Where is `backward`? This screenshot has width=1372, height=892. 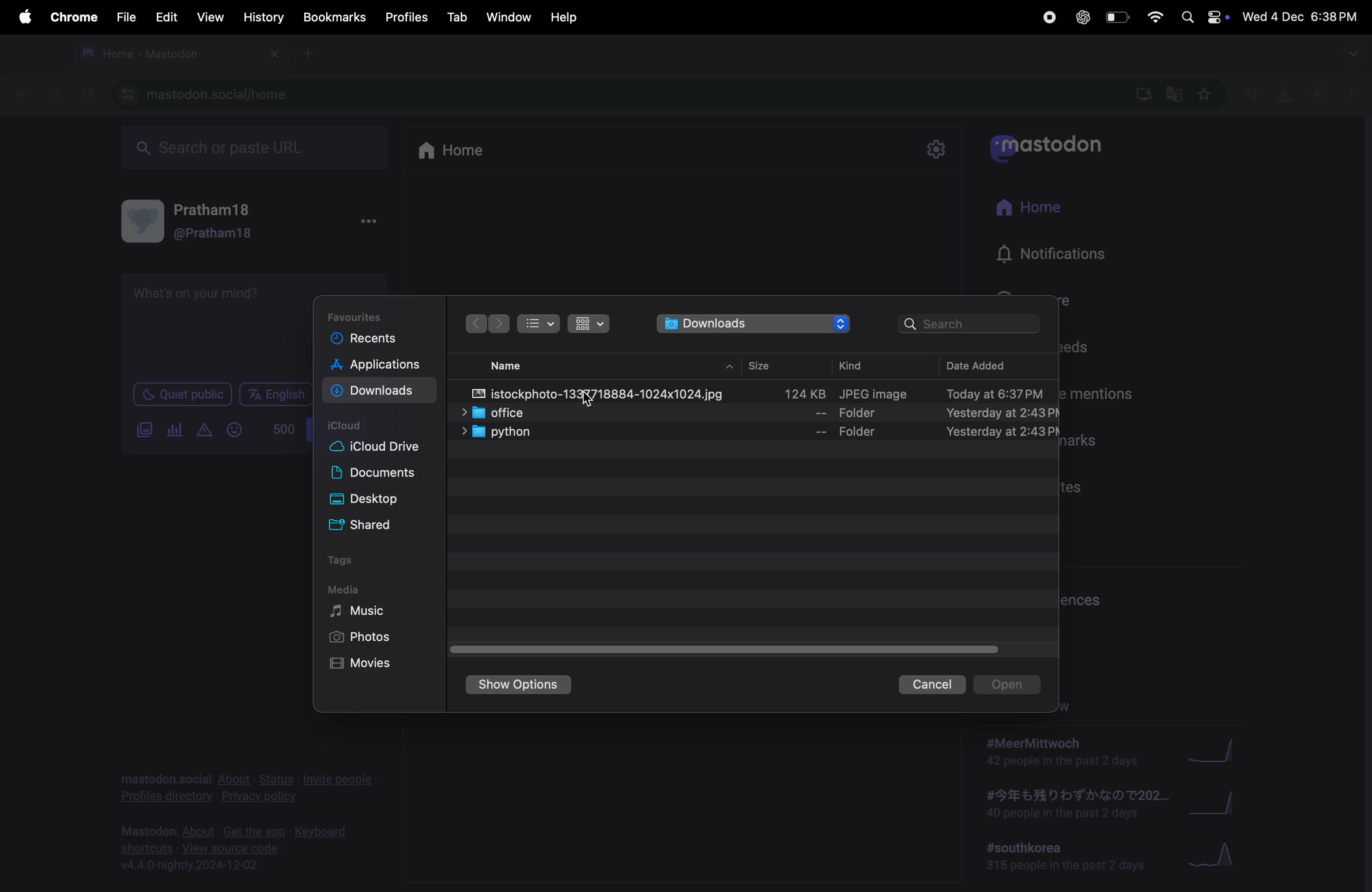
backward is located at coordinates (16, 96).